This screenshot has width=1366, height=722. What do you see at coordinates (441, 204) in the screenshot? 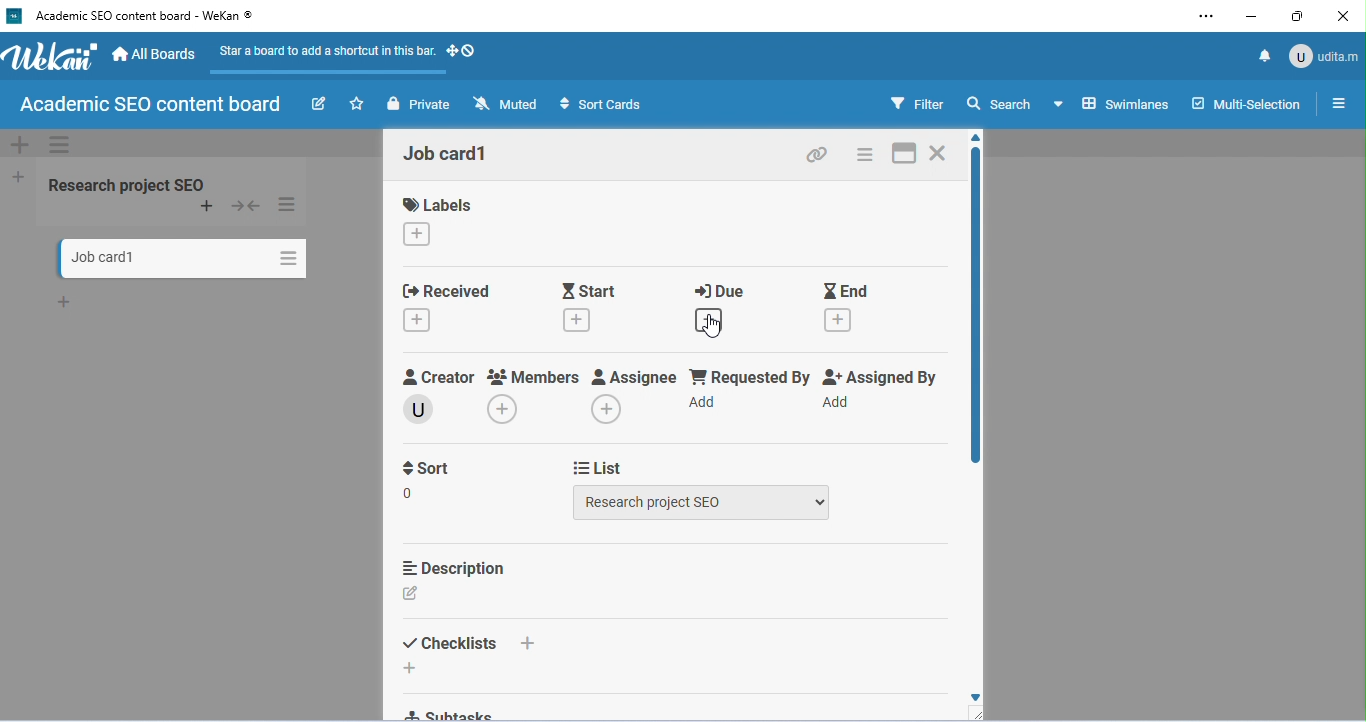
I see `labels` at bounding box center [441, 204].